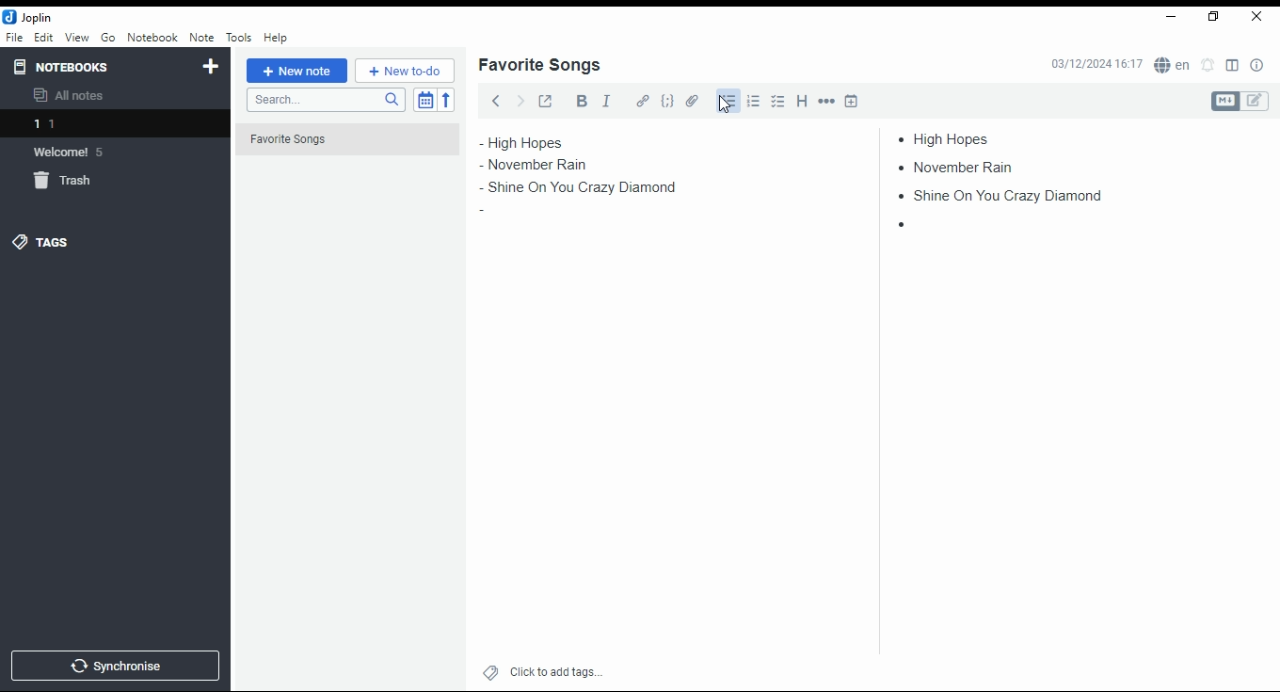 The width and height of the screenshot is (1280, 692). I want to click on spell checker, so click(1174, 64).